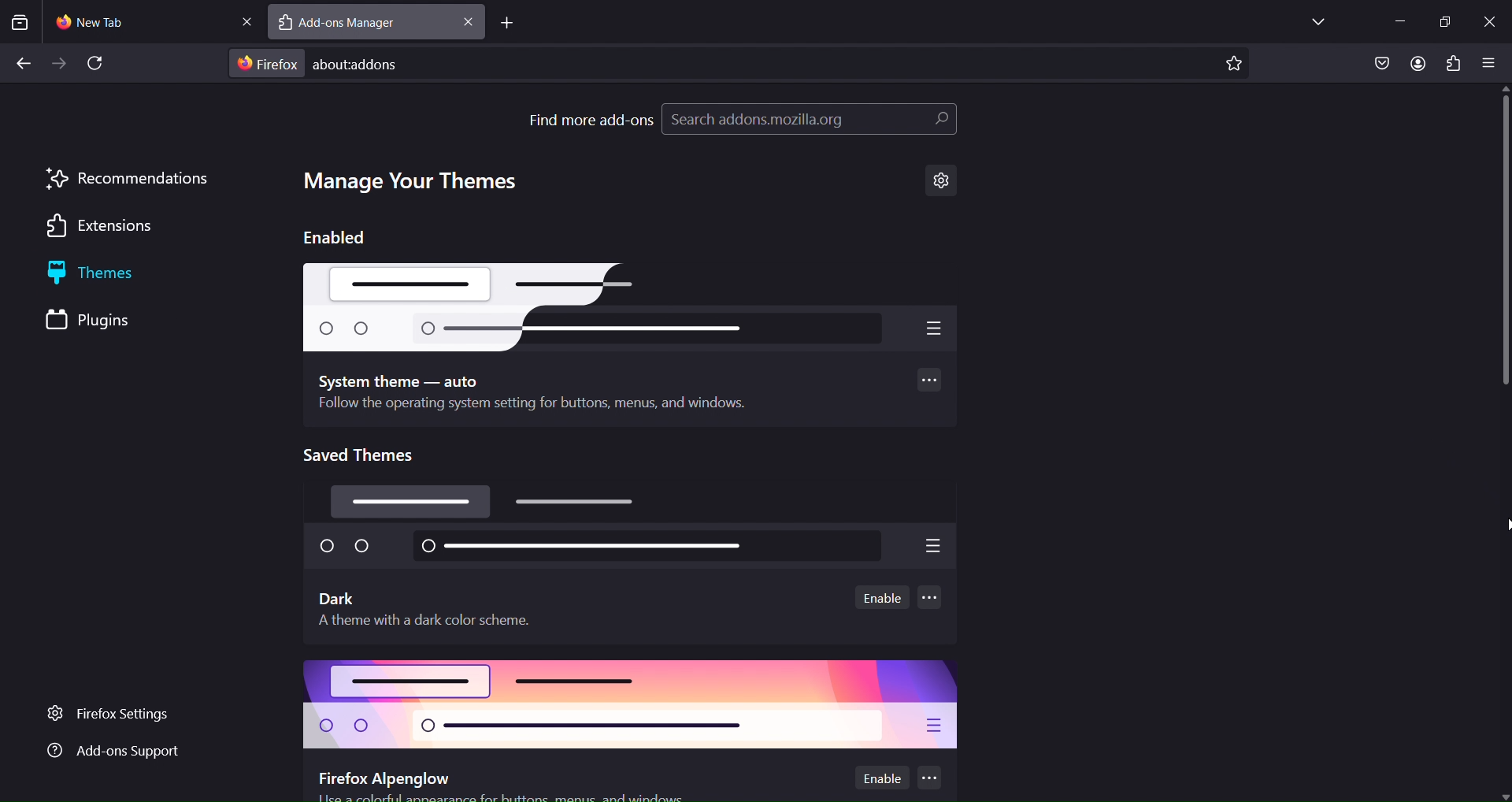 Image resolution: width=1512 pixels, height=802 pixels. I want to click on recommendations, so click(128, 179).